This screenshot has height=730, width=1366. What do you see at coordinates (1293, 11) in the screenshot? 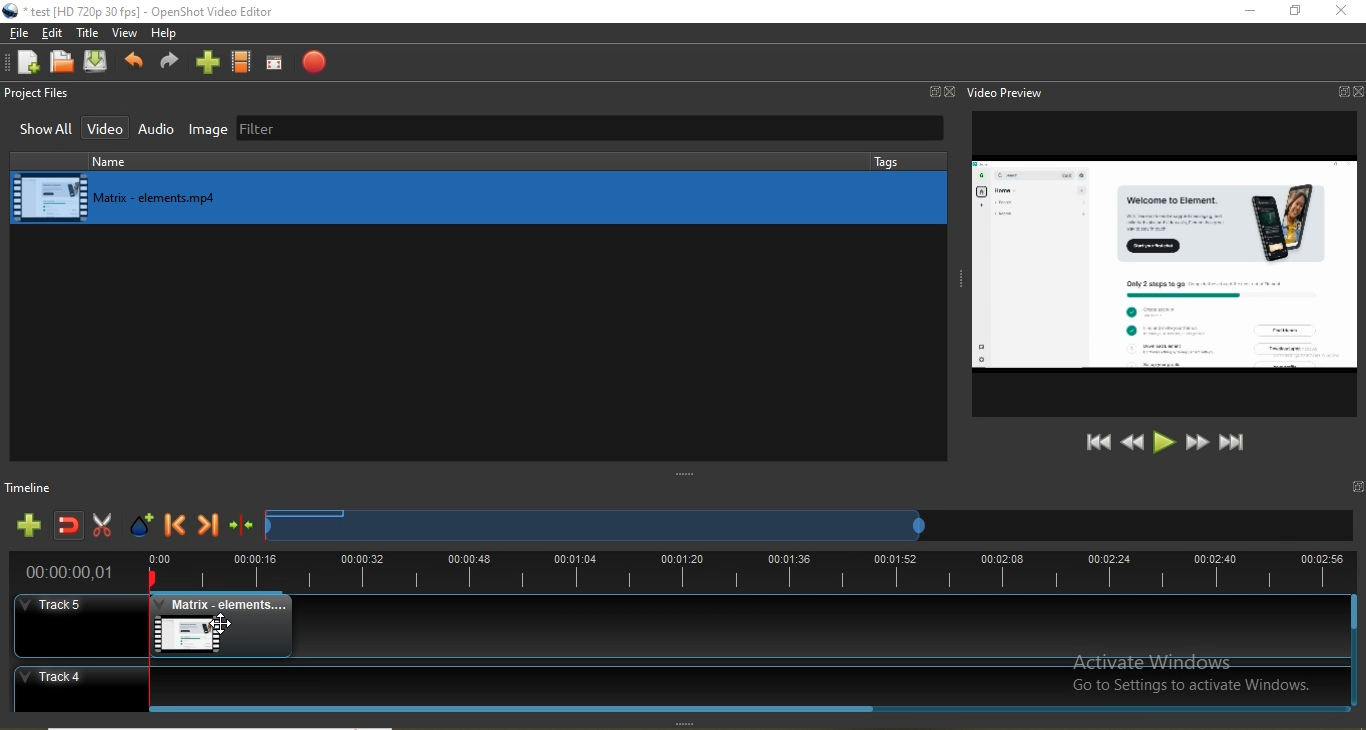
I see `Restore` at bounding box center [1293, 11].